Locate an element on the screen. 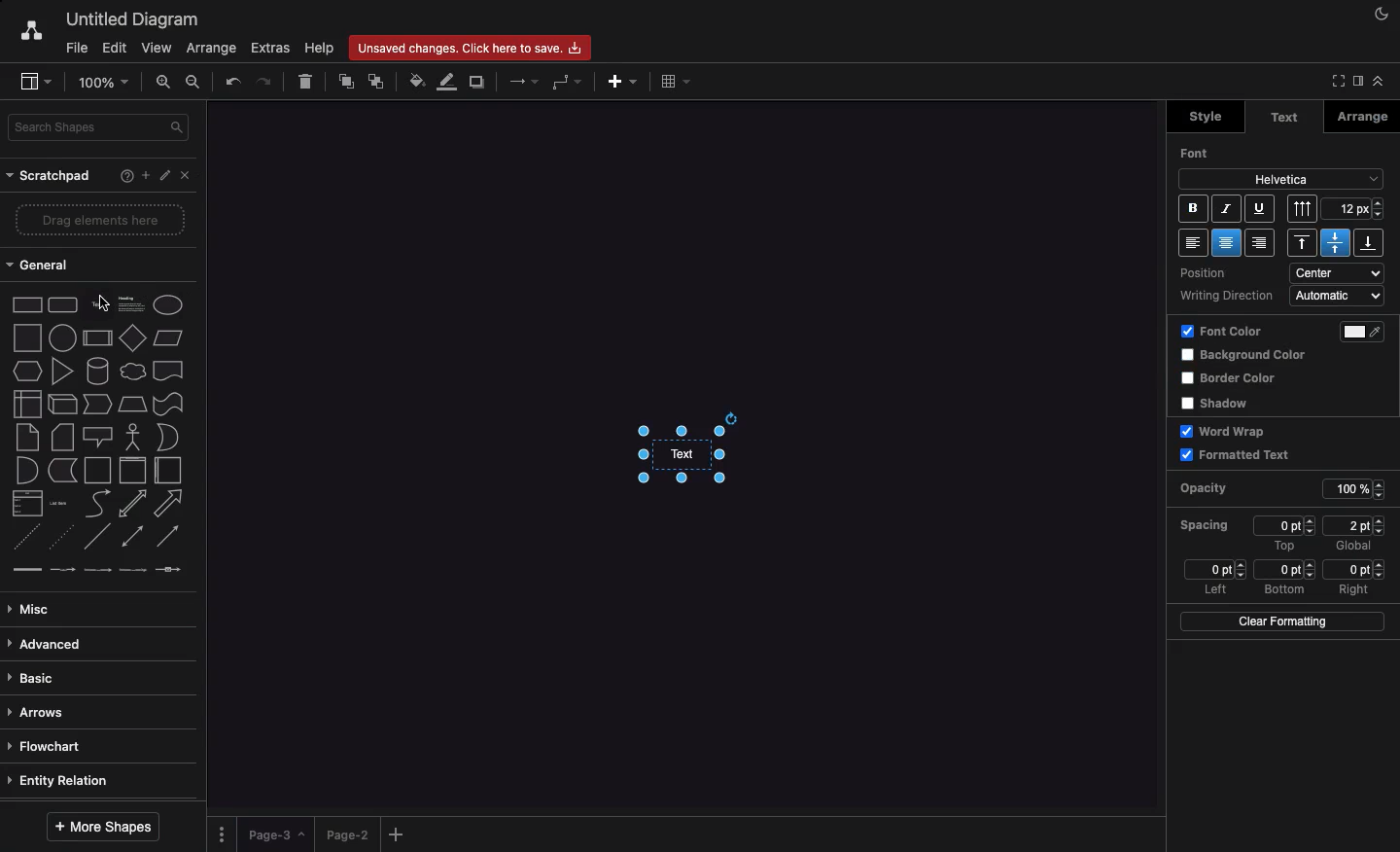  Opacity  is located at coordinates (1219, 489).